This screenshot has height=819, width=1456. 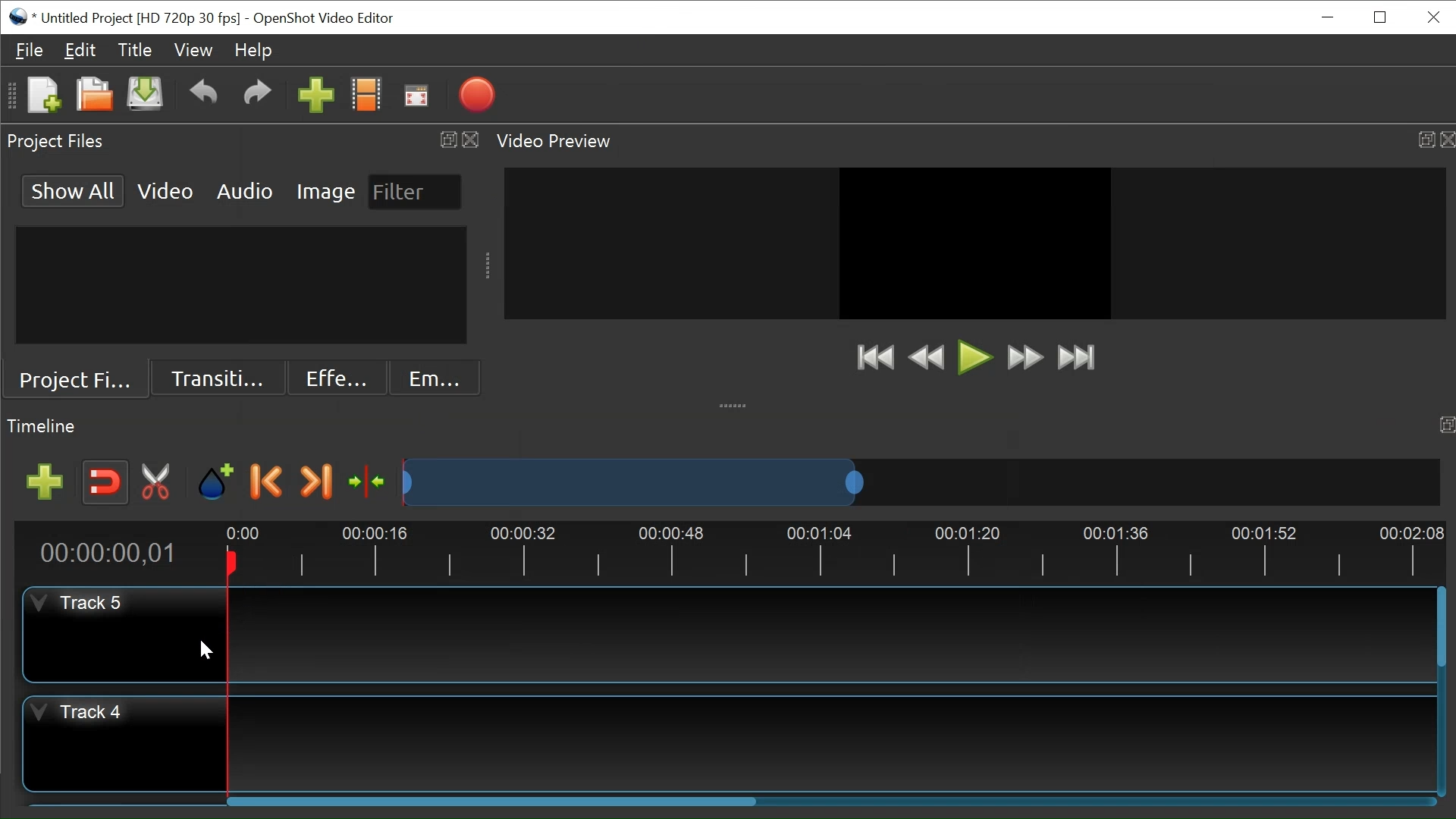 What do you see at coordinates (242, 142) in the screenshot?
I see `Project Files` at bounding box center [242, 142].